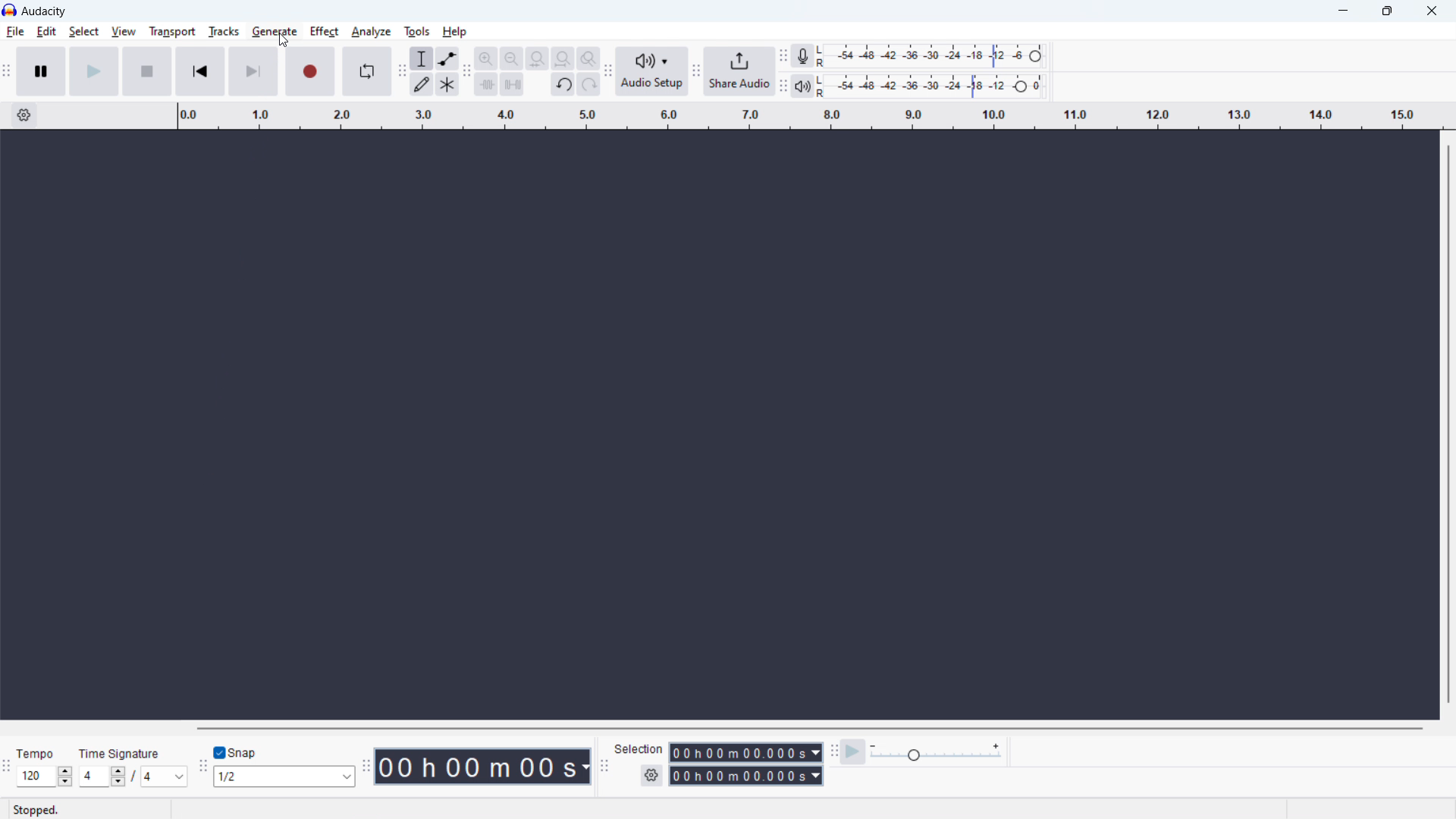  What do you see at coordinates (324, 32) in the screenshot?
I see `effect` at bounding box center [324, 32].